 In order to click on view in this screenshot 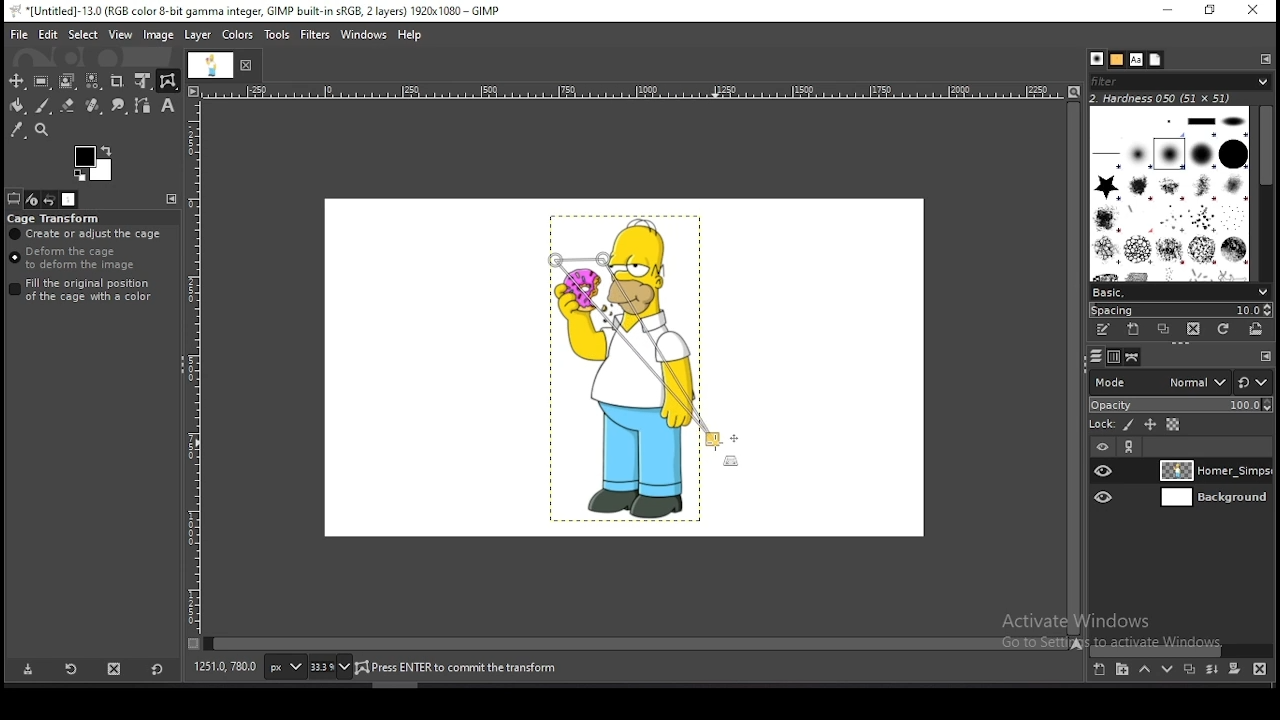, I will do `click(121, 34)`.